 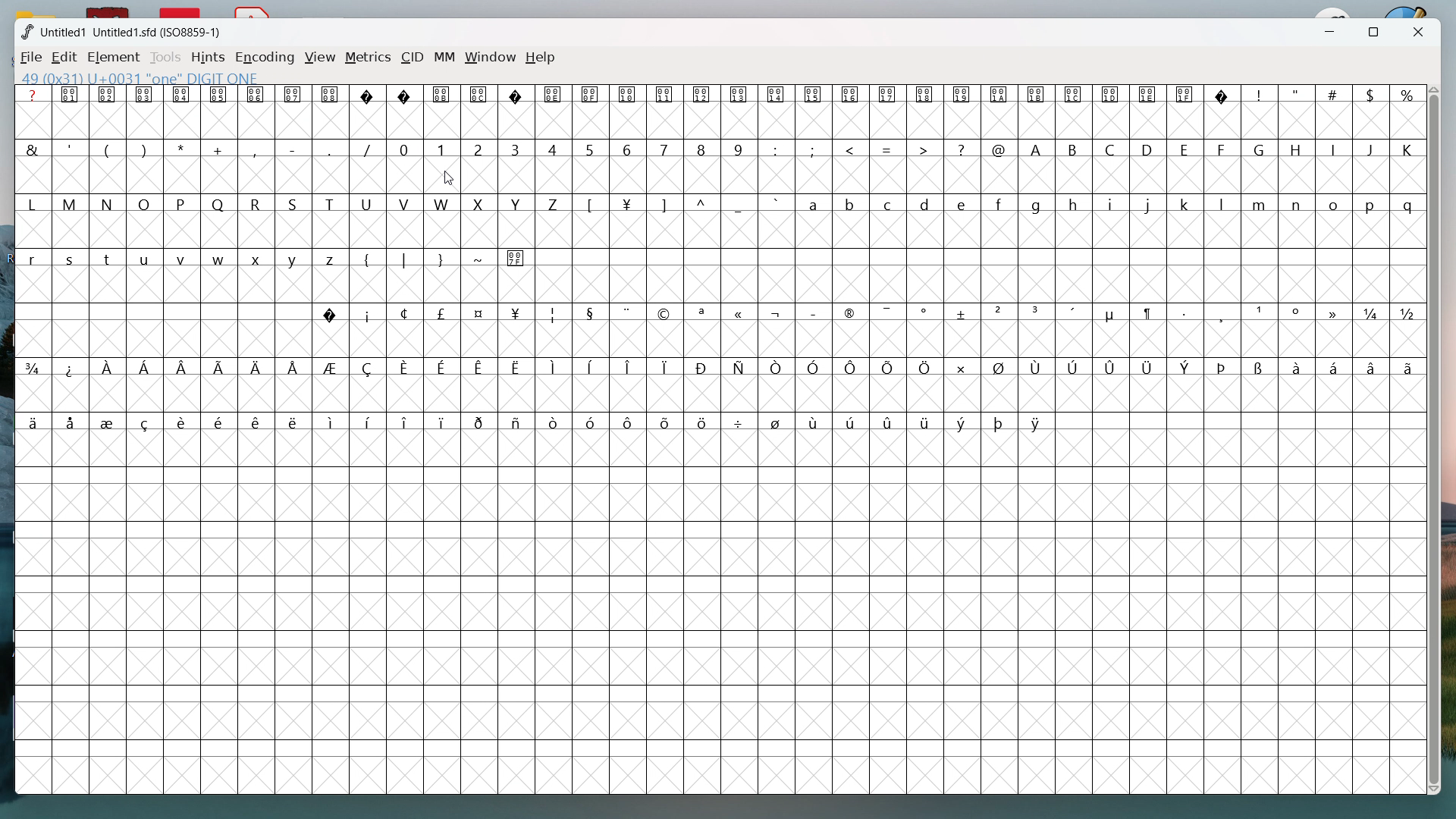 I want to click on $, so click(x=1369, y=93).